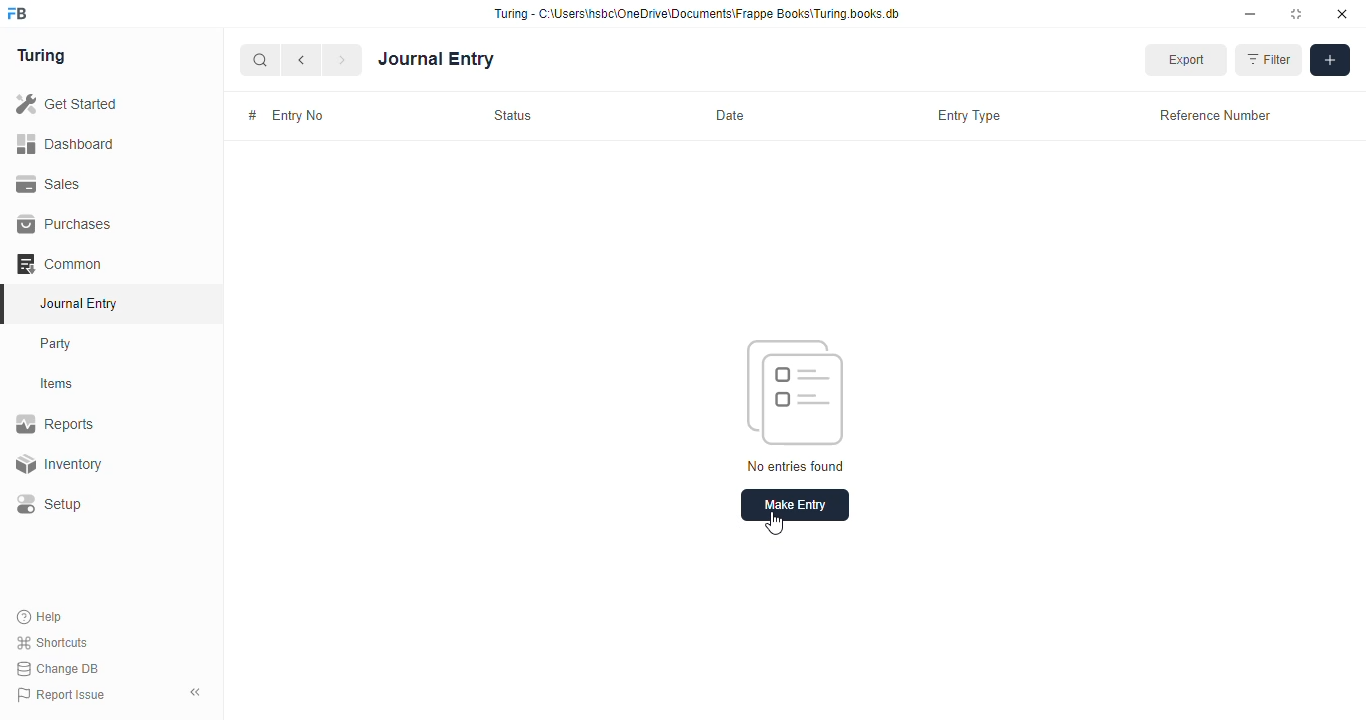 The image size is (1366, 720). What do you see at coordinates (795, 392) in the screenshot?
I see `journal entry icon` at bounding box center [795, 392].